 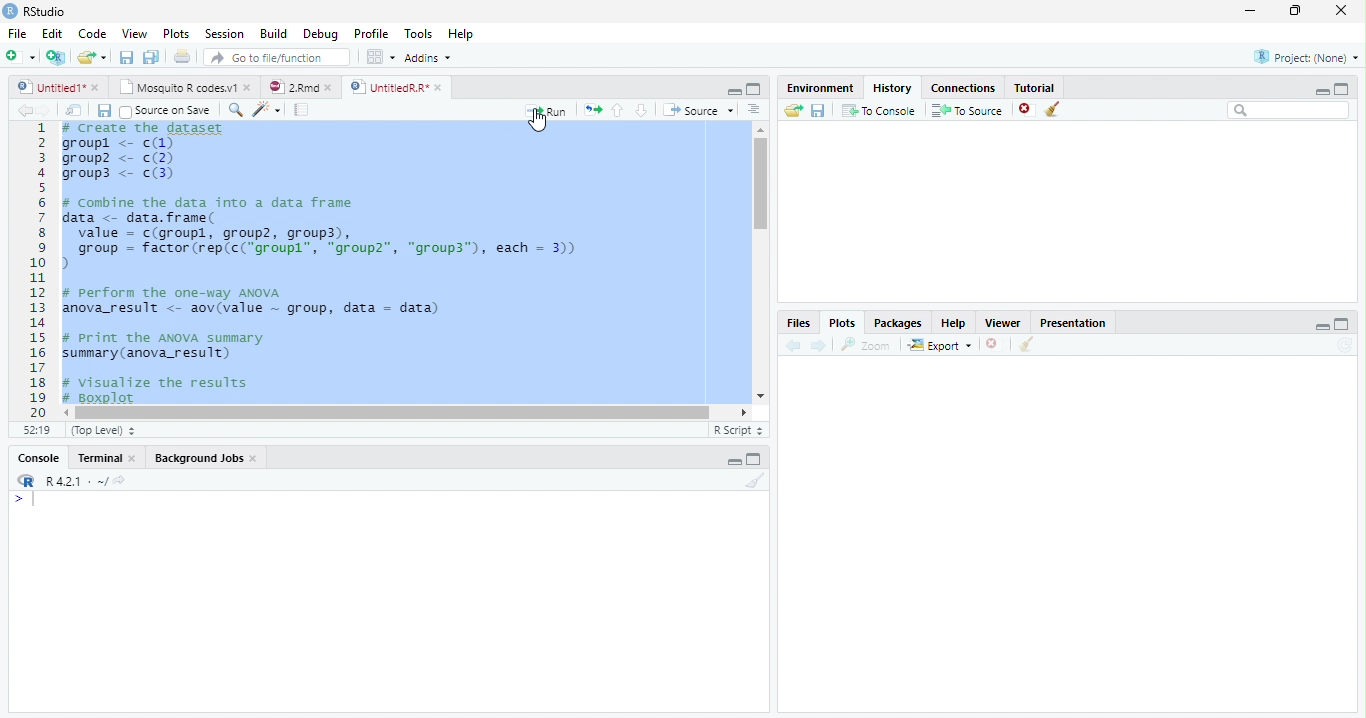 I want to click on Connections, so click(x=965, y=86).